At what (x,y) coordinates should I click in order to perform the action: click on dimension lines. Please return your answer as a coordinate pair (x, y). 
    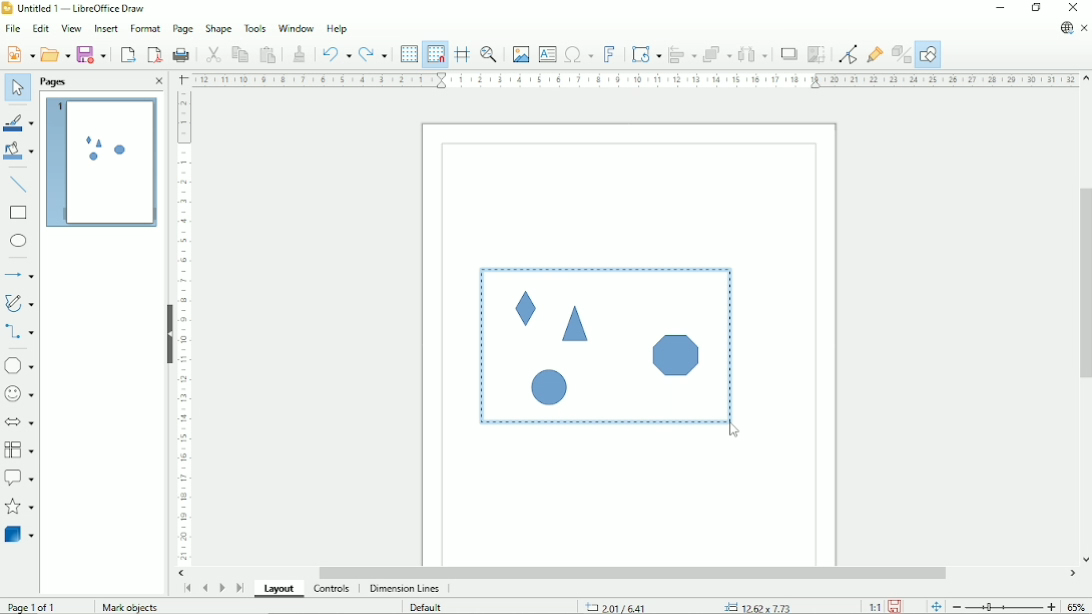
    Looking at the image, I should click on (404, 589).